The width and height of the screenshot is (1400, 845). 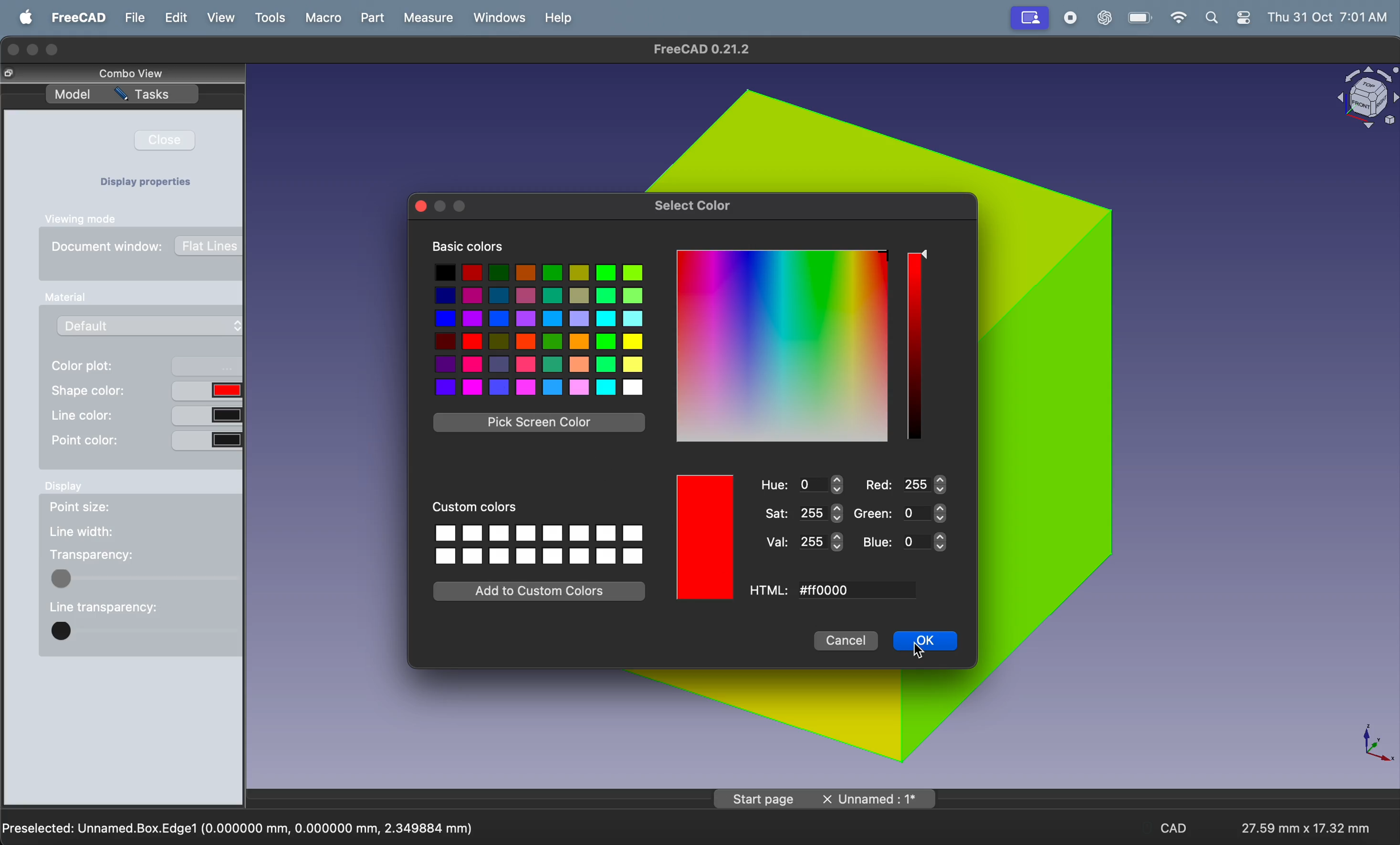 What do you see at coordinates (696, 206) in the screenshot?
I see `select color` at bounding box center [696, 206].